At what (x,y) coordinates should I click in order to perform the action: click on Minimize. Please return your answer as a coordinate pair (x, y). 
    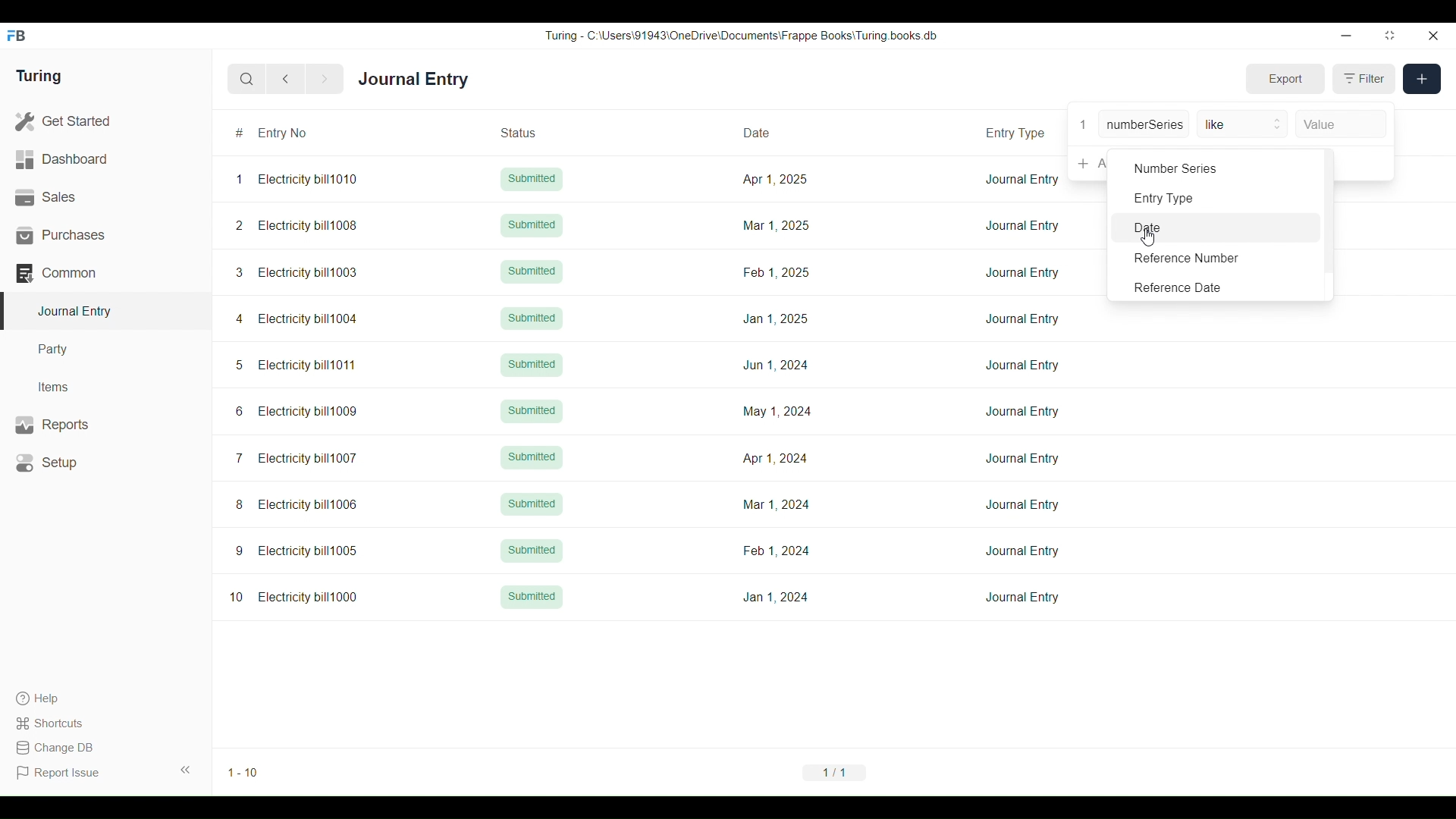
    Looking at the image, I should click on (1347, 36).